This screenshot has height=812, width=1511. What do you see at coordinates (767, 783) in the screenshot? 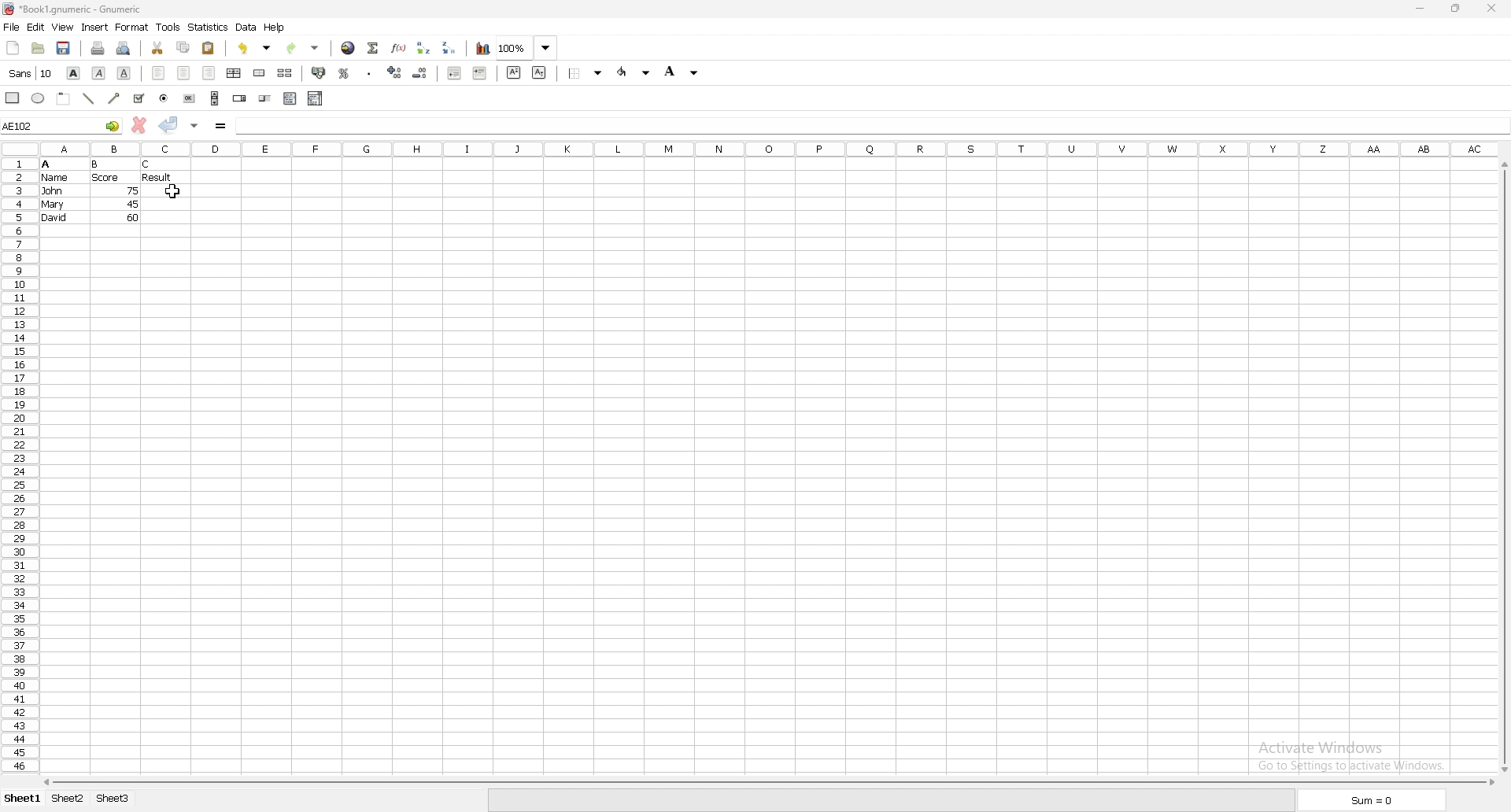
I see `scroll bar` at bounding box center [767, 783].